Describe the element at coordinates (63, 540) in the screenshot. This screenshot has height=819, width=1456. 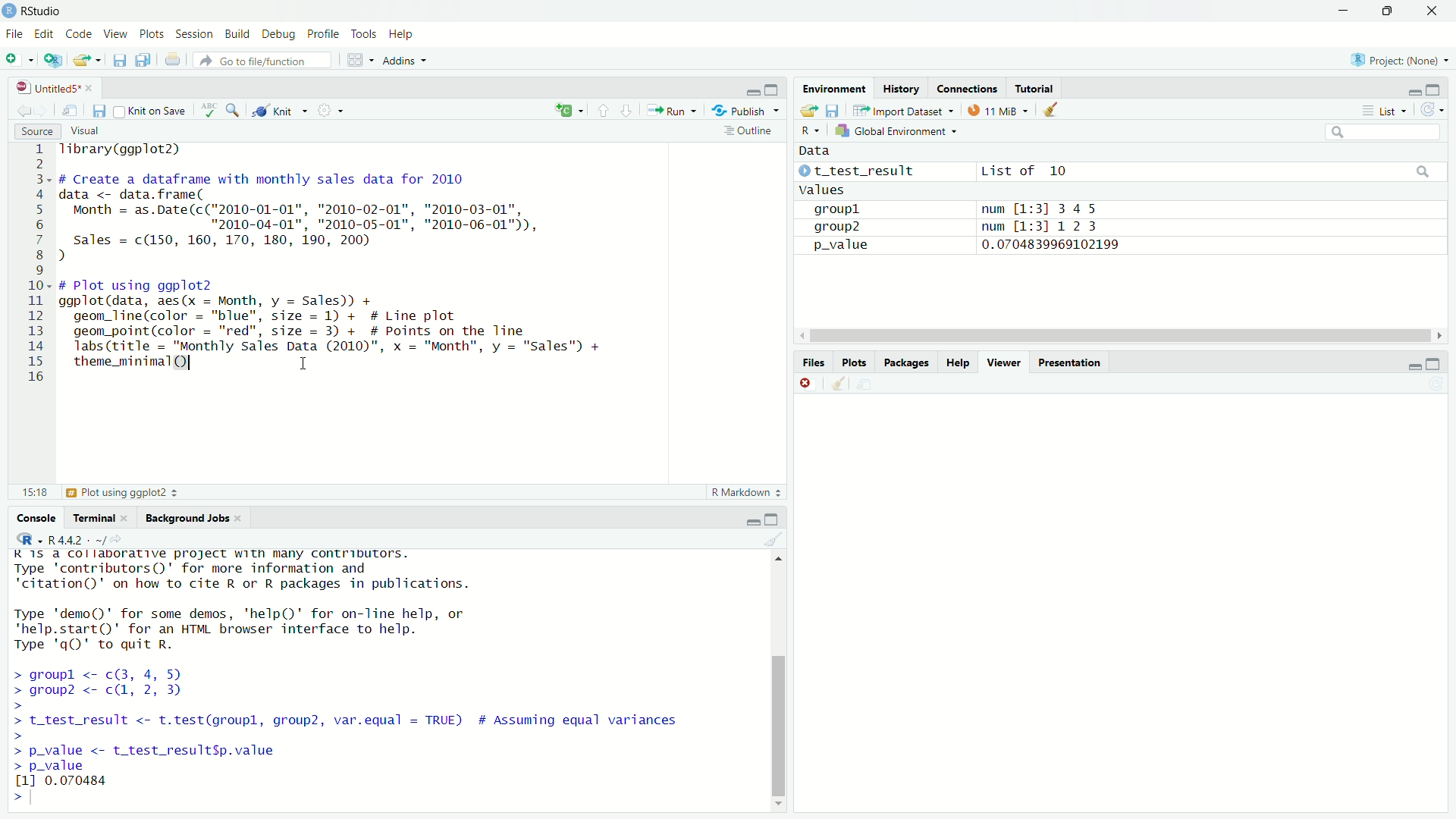
I see `@R -R442- ~/` at that location.